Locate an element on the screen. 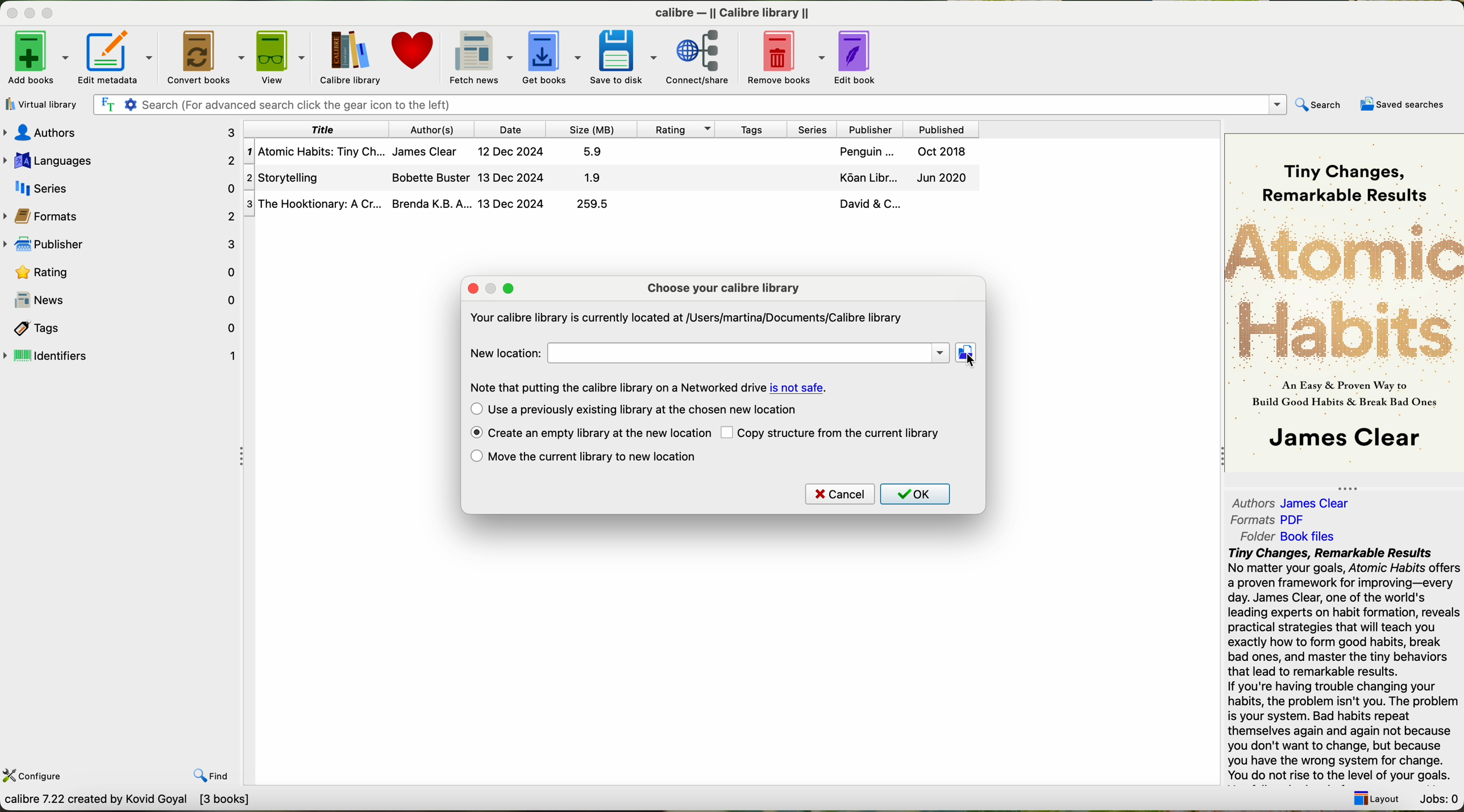 This screenshot has height=812, width=1464. calibre — || Calibre library || is located at coordinates (735, 12).